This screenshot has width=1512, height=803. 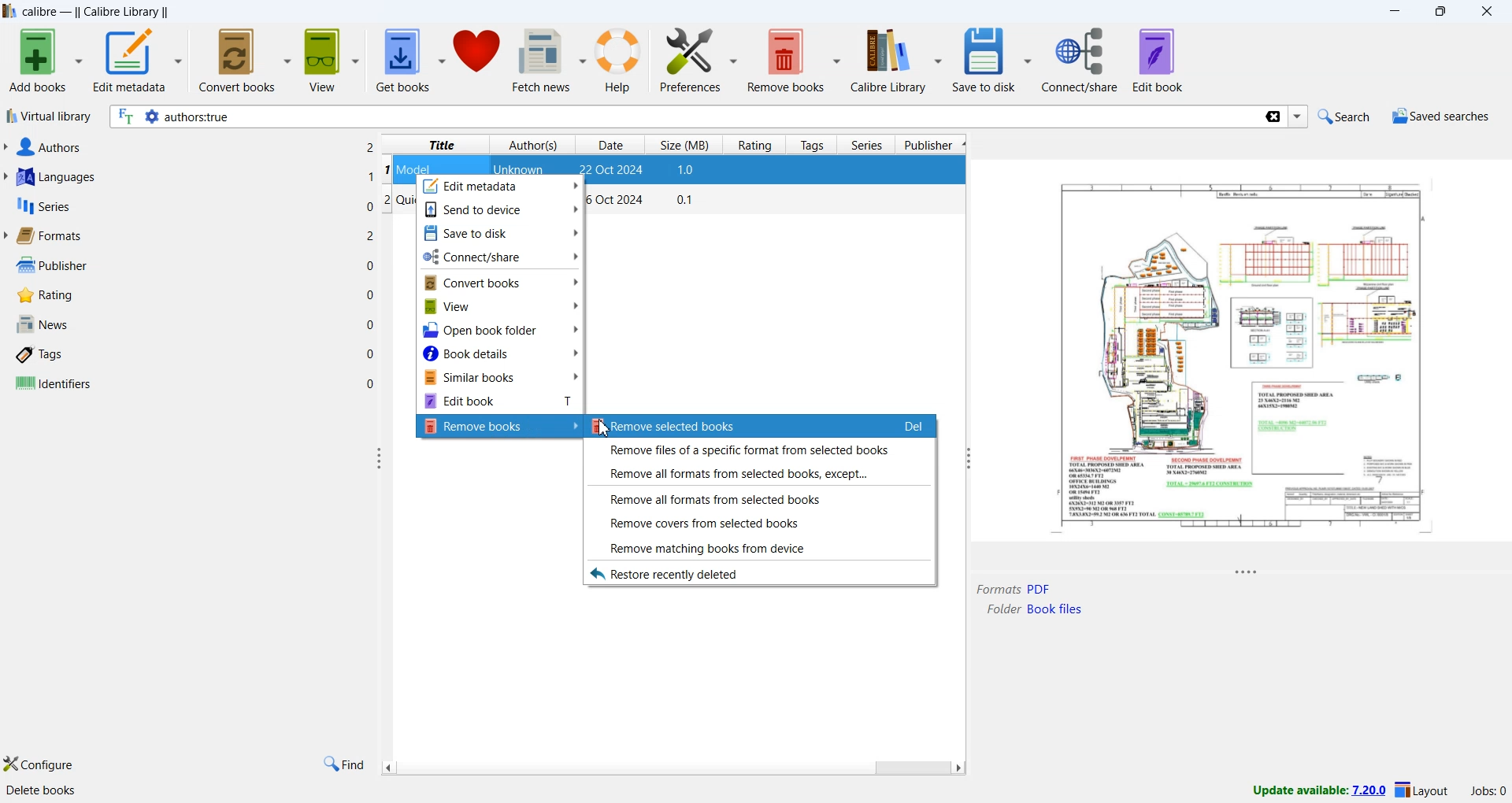 What do you see at coordinates (607, 431) in the screenshot?
I see `Cursor` at bounding box center [607, 431].